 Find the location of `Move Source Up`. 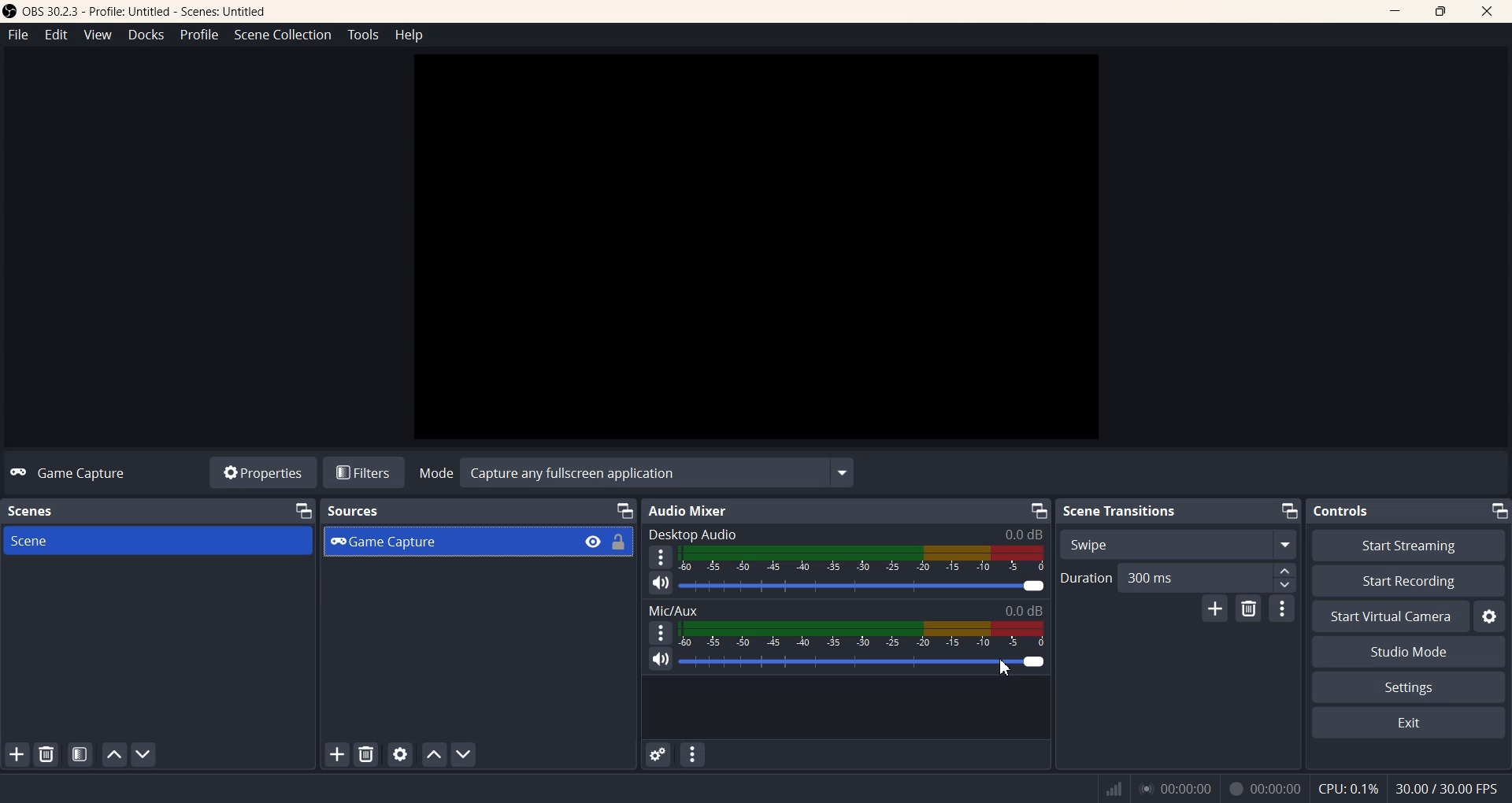

Move Source Up is located at coordinates (435, 756).